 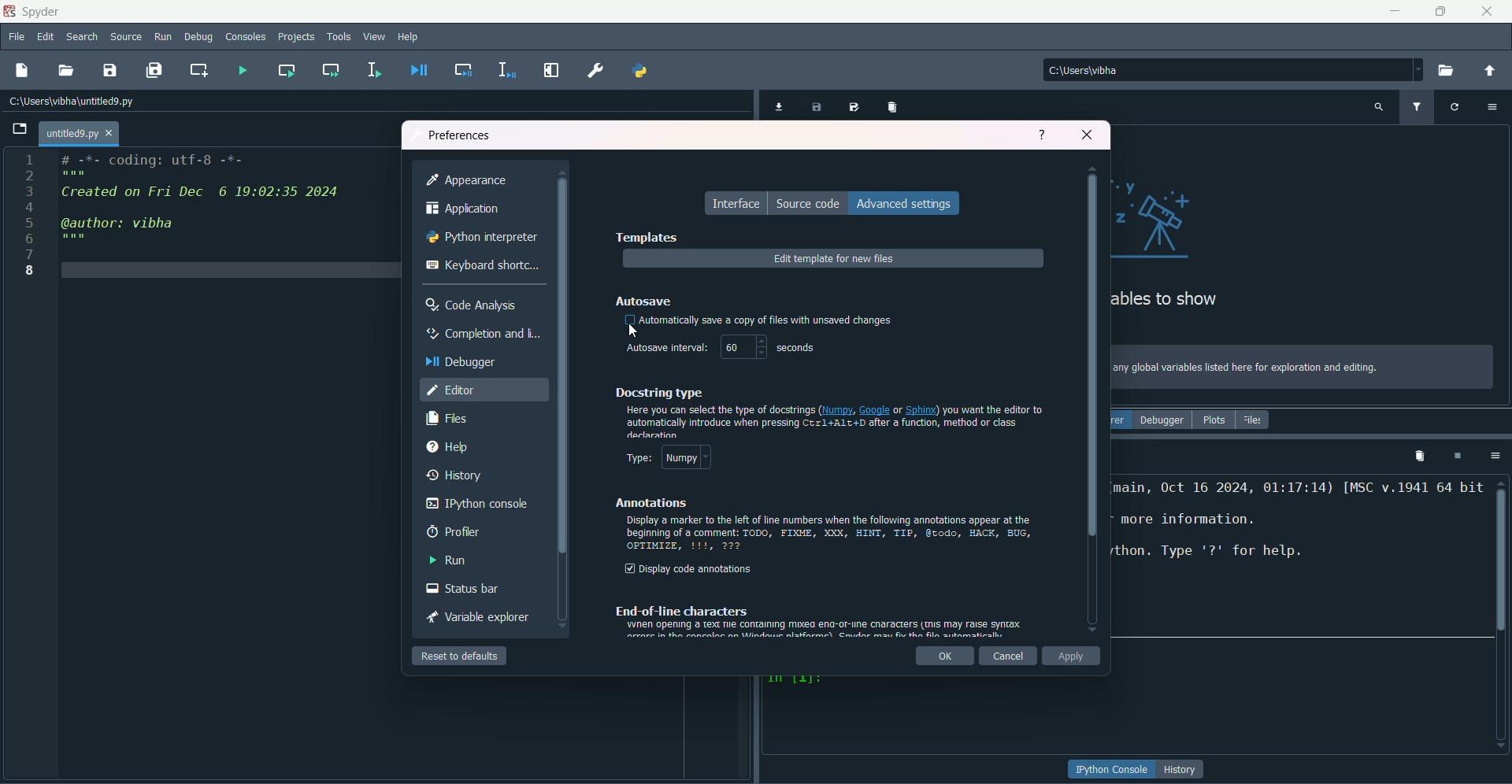 I want to click on maximize current pane, so click(x=552, y=70).